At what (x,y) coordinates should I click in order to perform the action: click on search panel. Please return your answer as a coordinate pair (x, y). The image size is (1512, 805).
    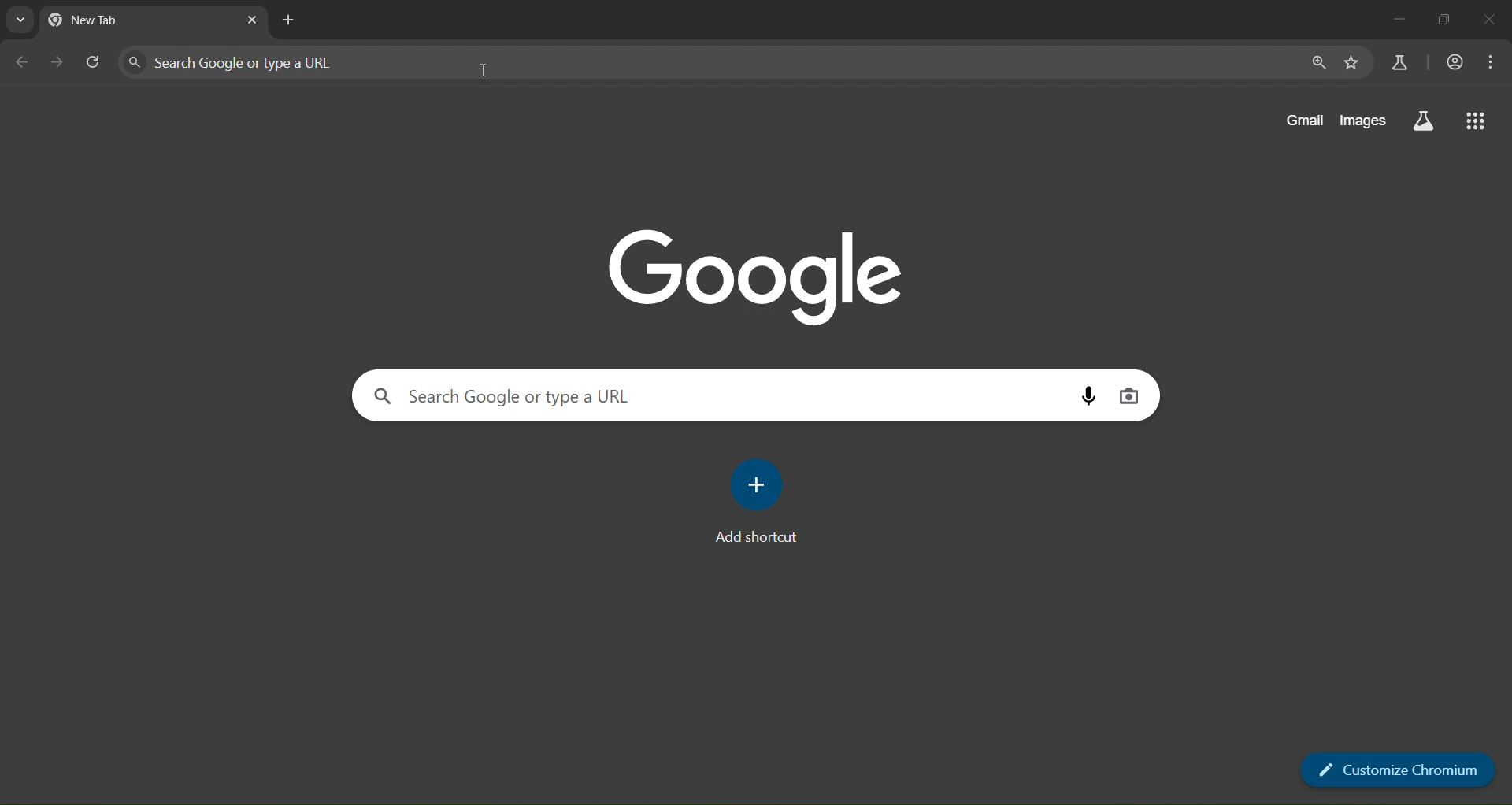
    Looking at the image, I should click on (282, 61).